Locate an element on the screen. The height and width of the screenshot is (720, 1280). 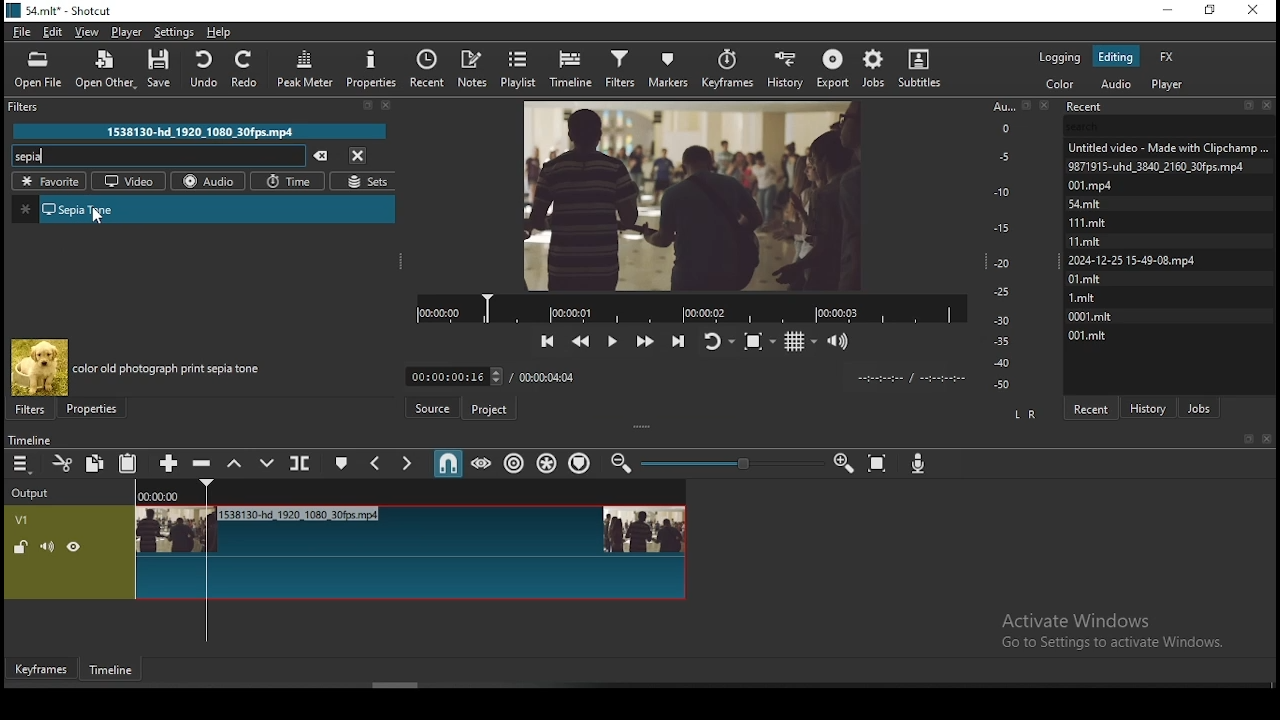
play quickly backwards is located at coordinates (583, 338).